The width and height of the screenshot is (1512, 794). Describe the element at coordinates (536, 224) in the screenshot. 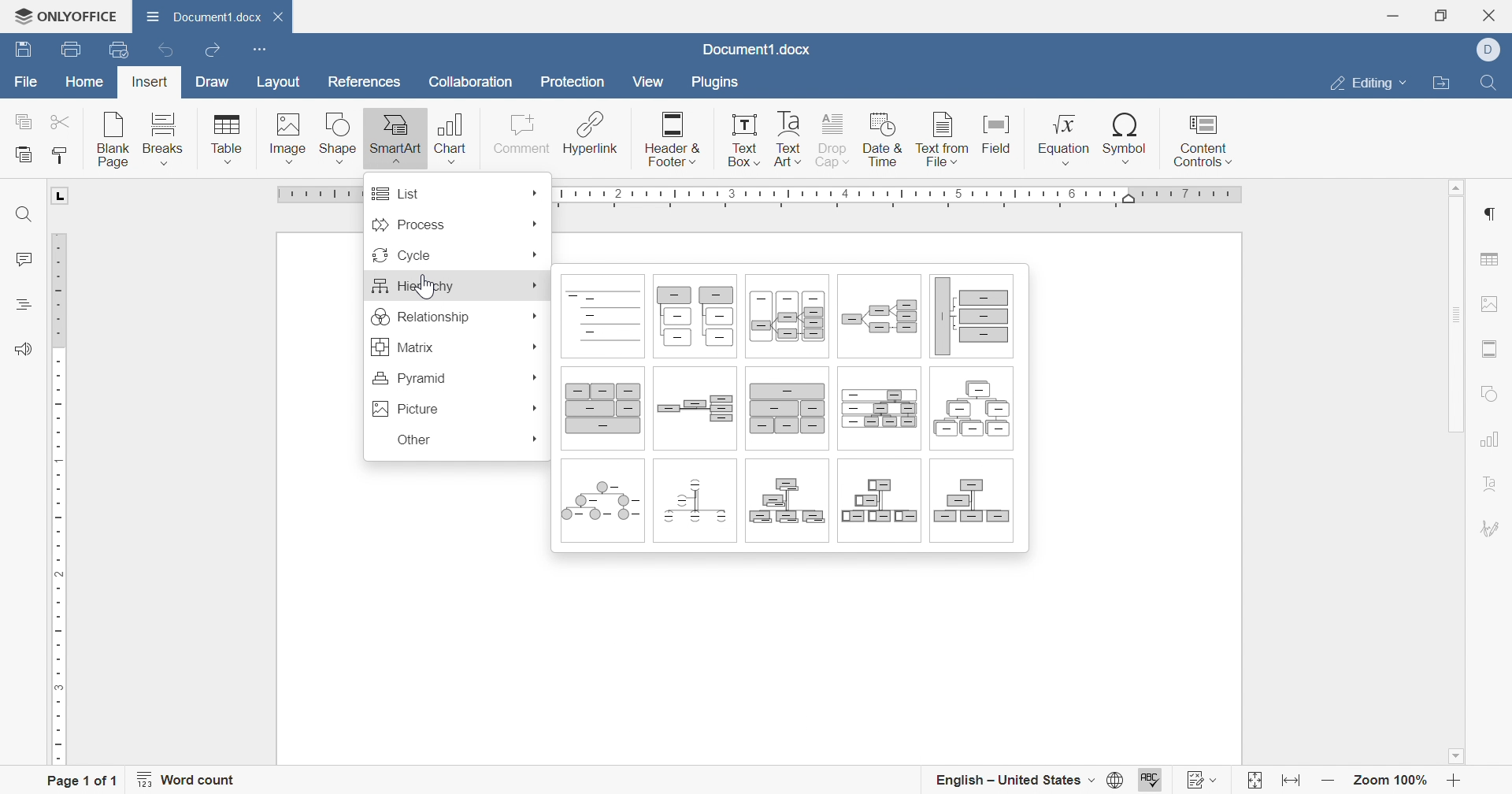

I see `More` at that location.